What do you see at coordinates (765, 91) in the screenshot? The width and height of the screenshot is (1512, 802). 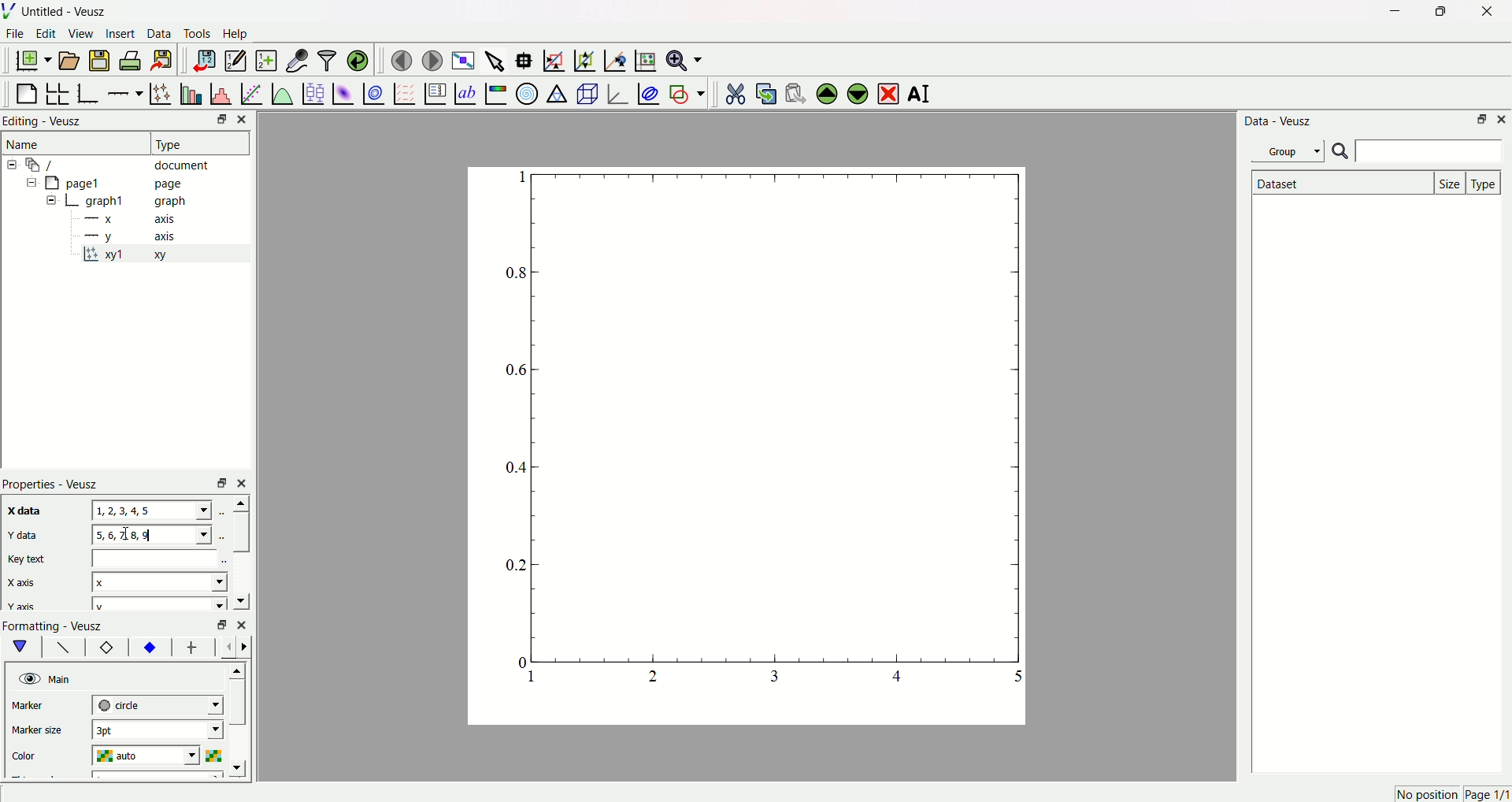 I see `copy the widgets` at bounding box center [765, 91].